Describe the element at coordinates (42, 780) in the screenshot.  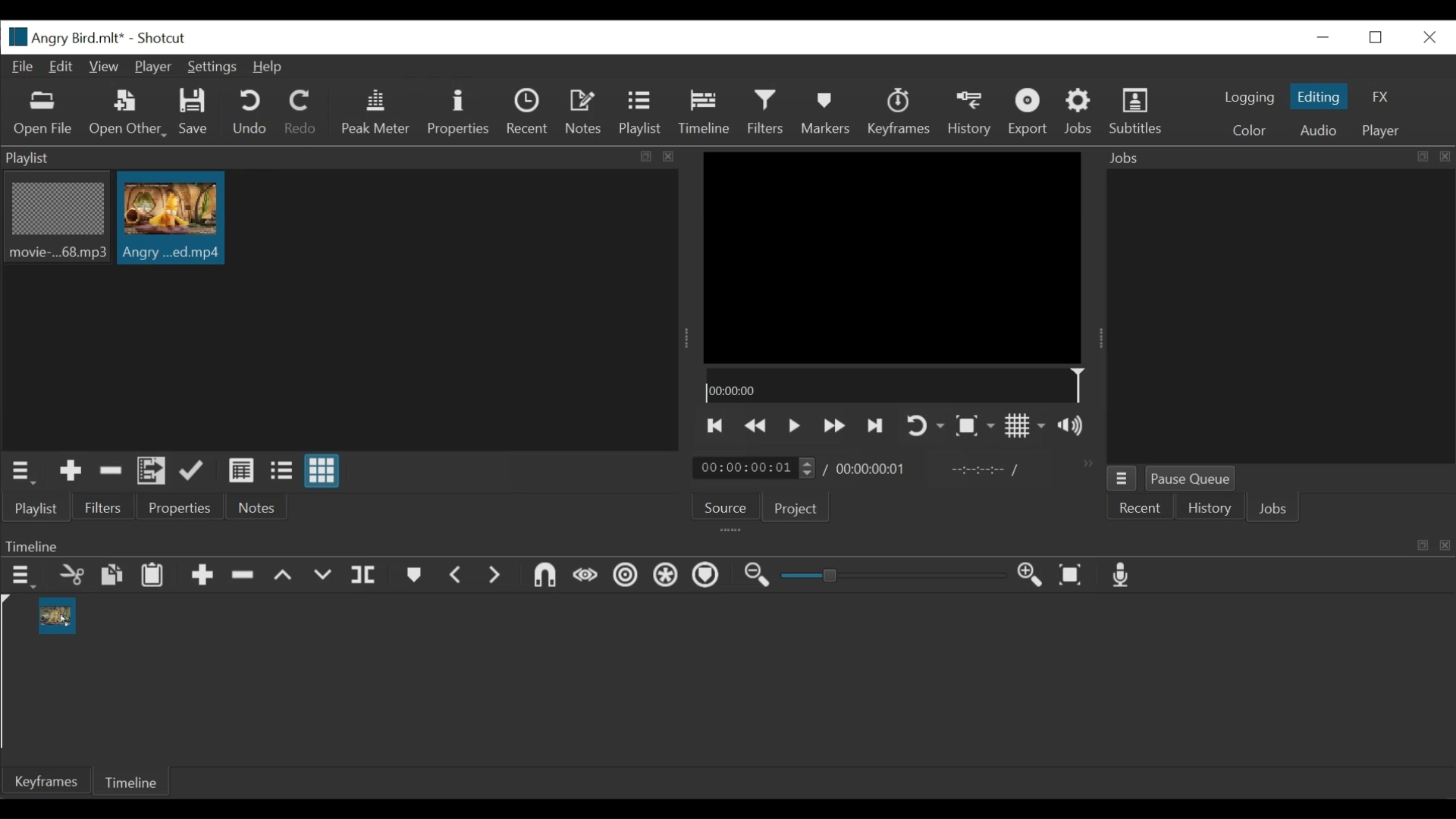
I see `Keyframe` at that location.